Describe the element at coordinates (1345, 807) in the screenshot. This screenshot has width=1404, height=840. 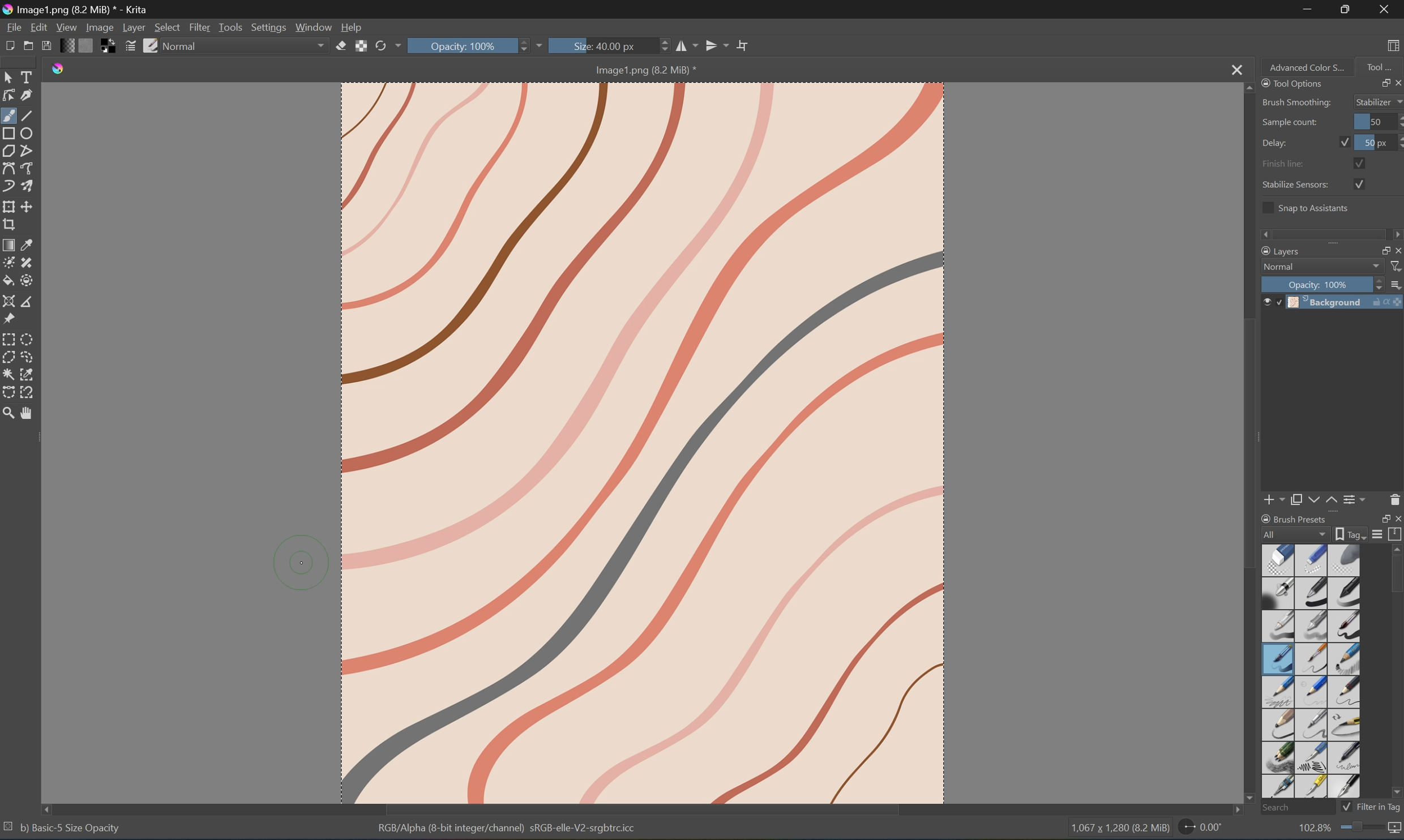
I see `Checkbox` at that location.